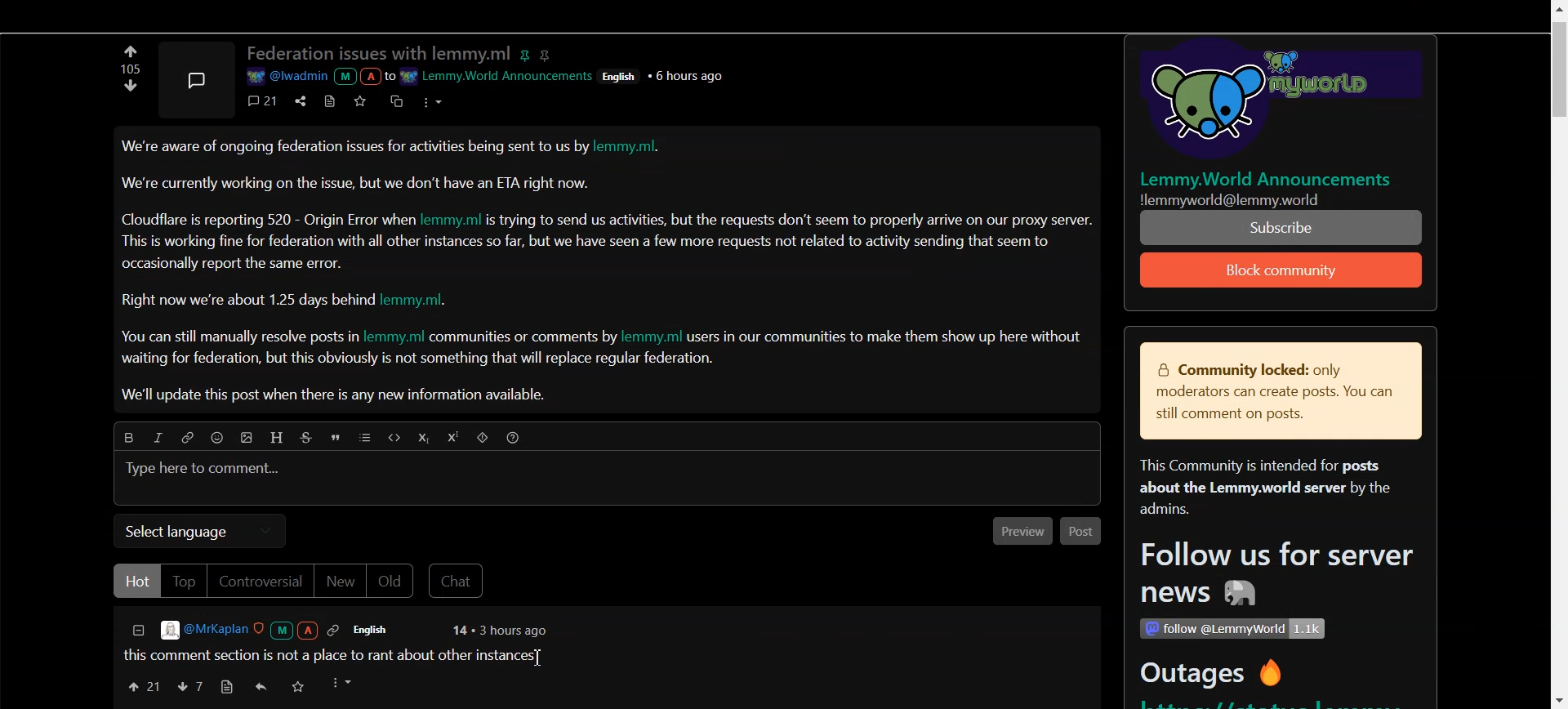  What do you see at coordinates (1282, 270) in the screenshot?
I see `Subscribe` at bounding box center [1282, 270].